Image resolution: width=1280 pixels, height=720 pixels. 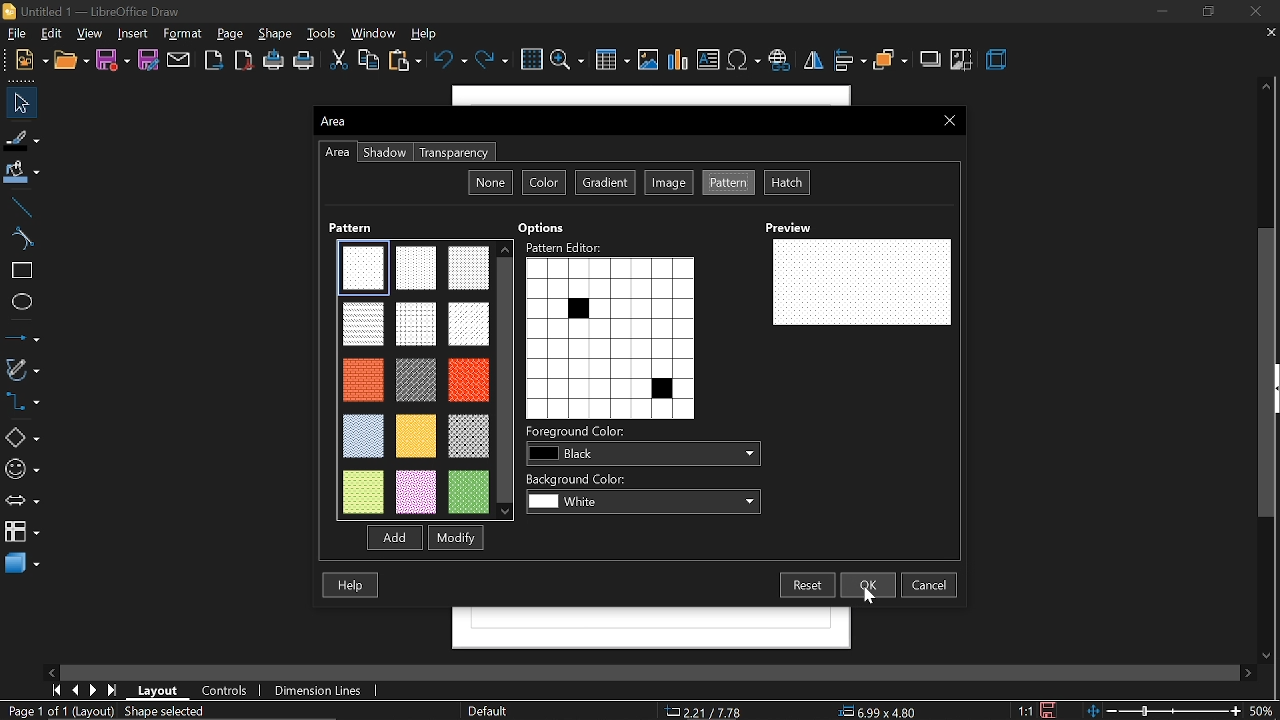 I want to click on New, so click(x=25, y=59).